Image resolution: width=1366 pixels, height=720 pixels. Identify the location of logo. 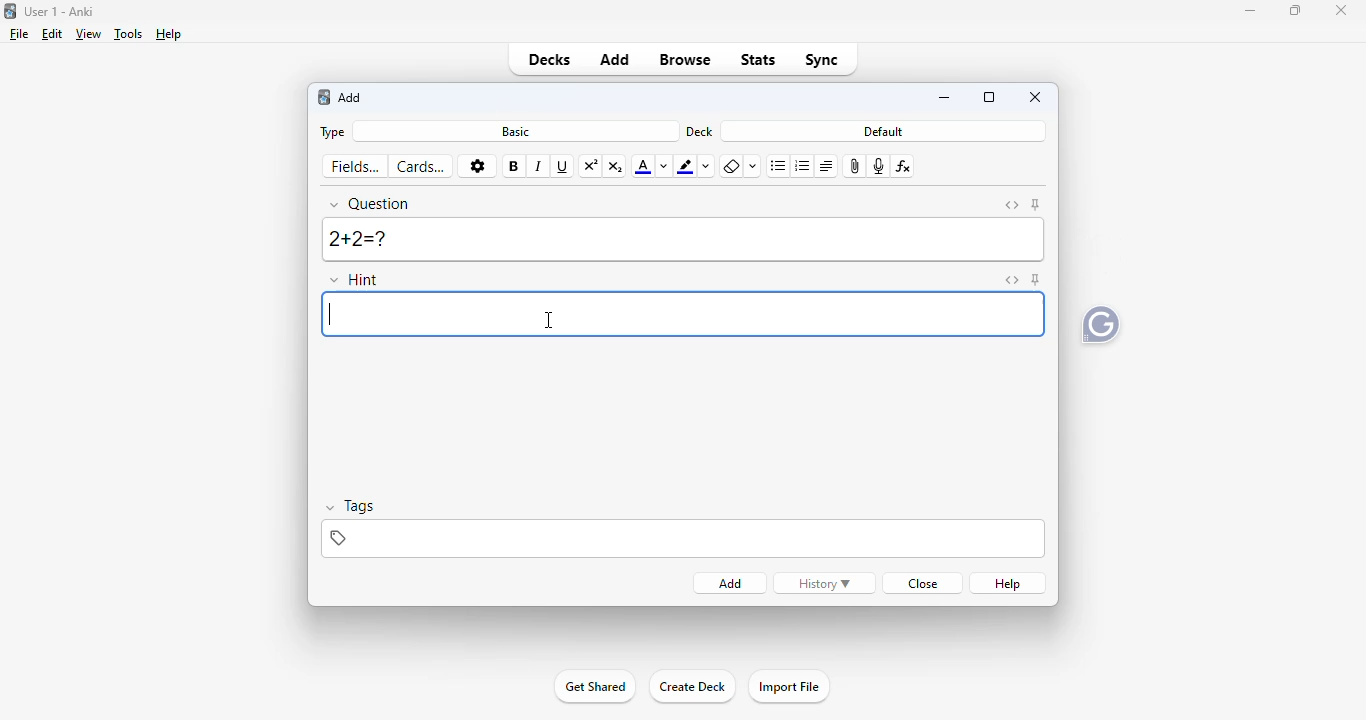
(11, 11).